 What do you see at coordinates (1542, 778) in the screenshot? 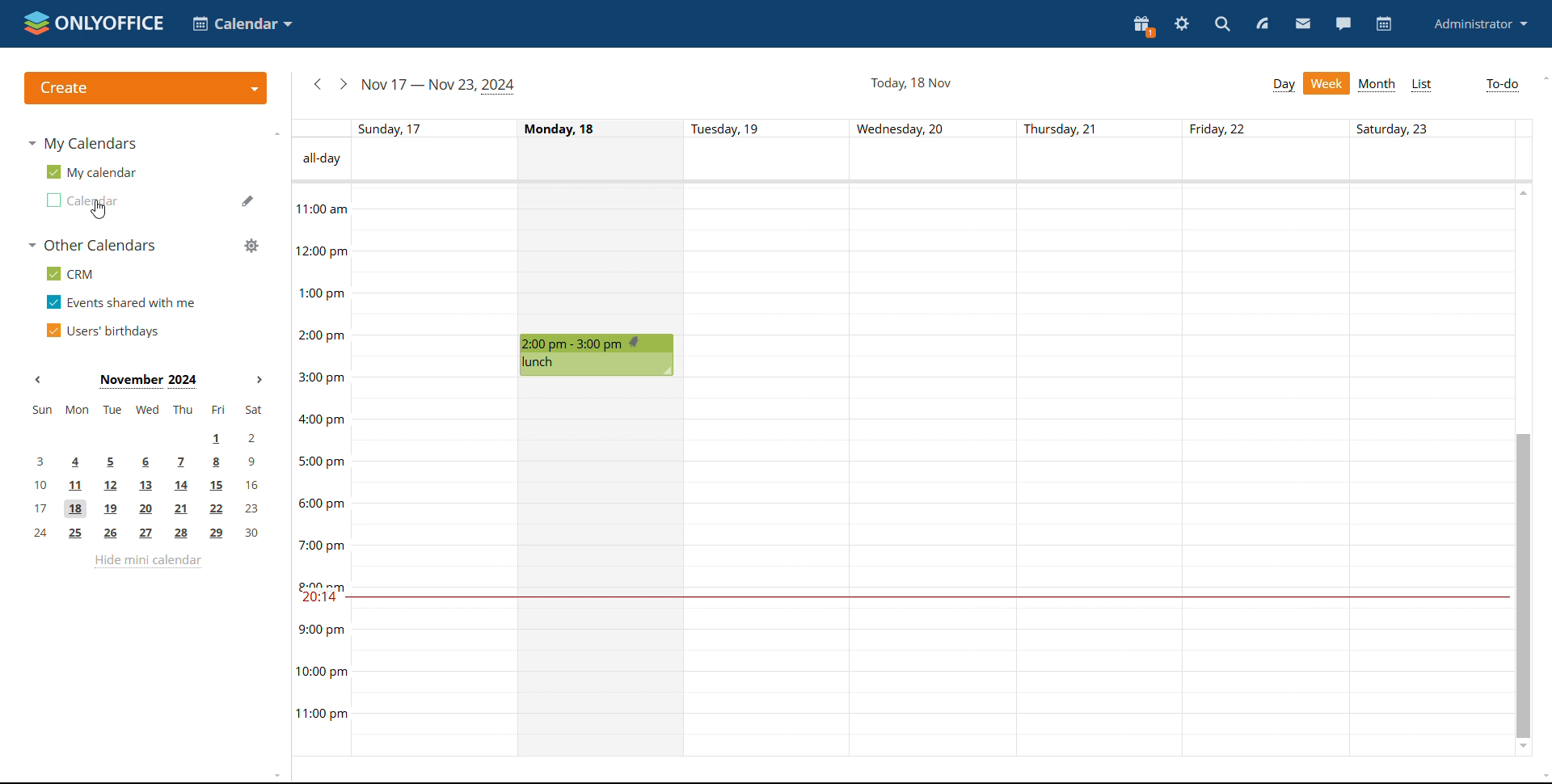
I see `scroll down` at bounding box center [1542, 778].